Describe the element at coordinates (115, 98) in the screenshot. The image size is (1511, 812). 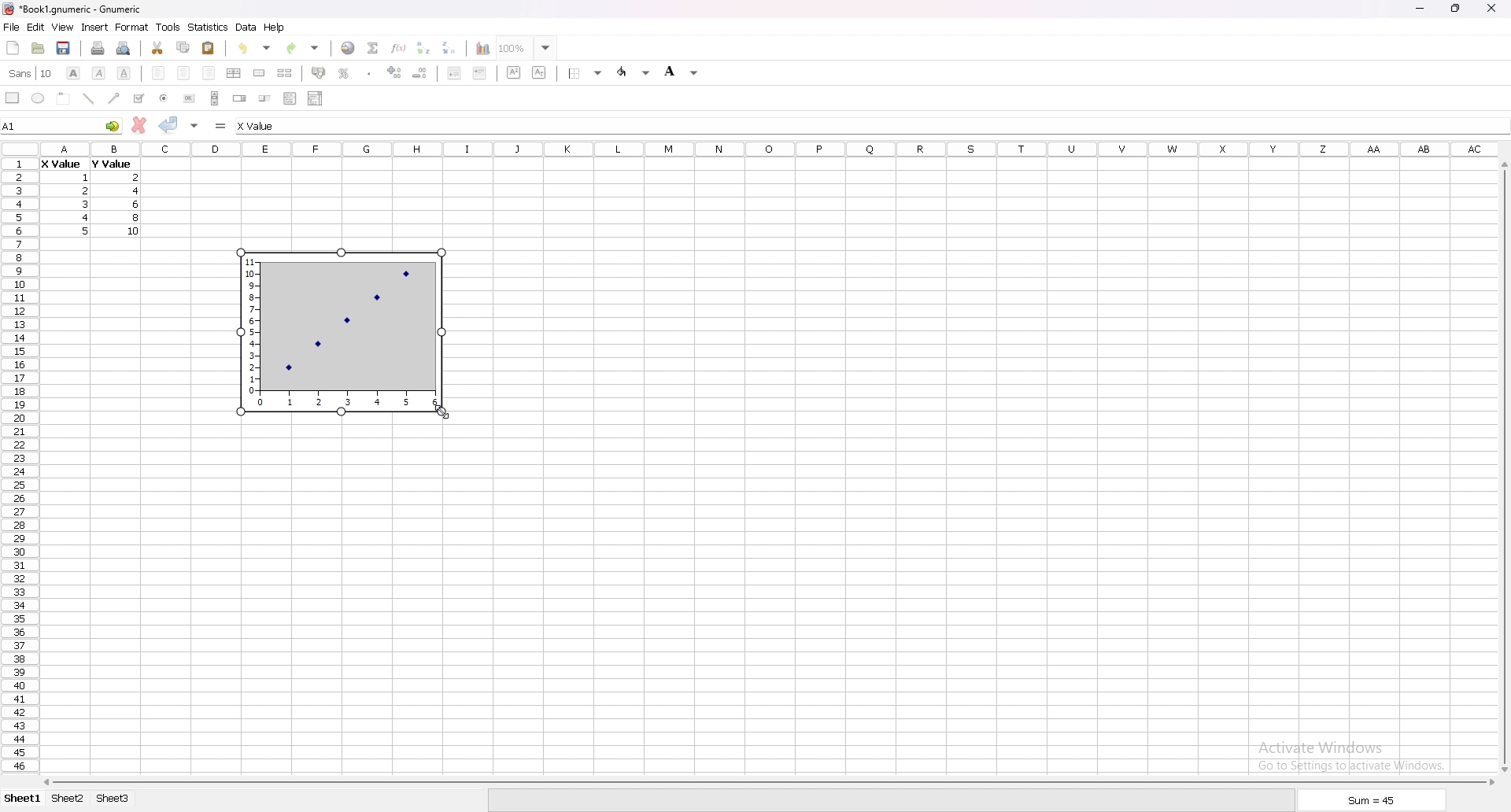
I see `arrowed line` at that location.